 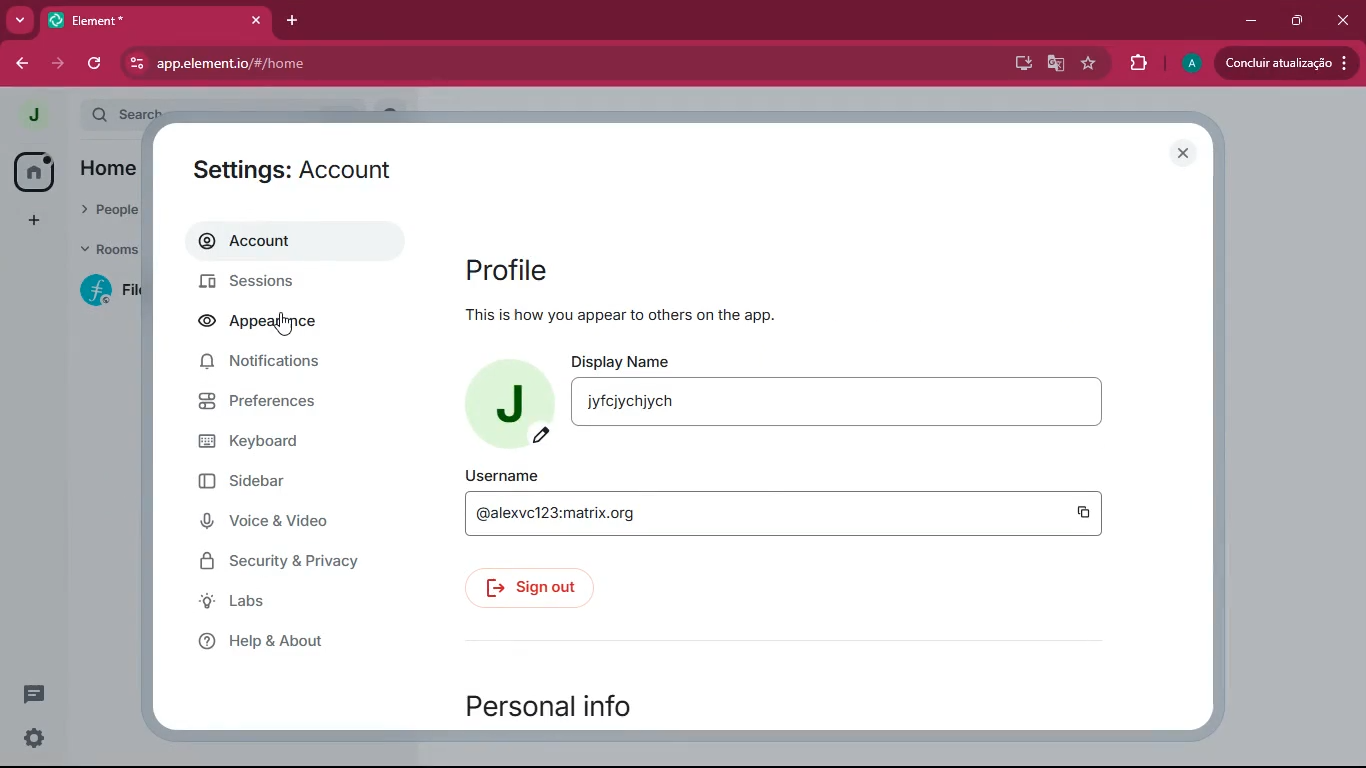 I want to click on close, so click(x=1188, y=154).